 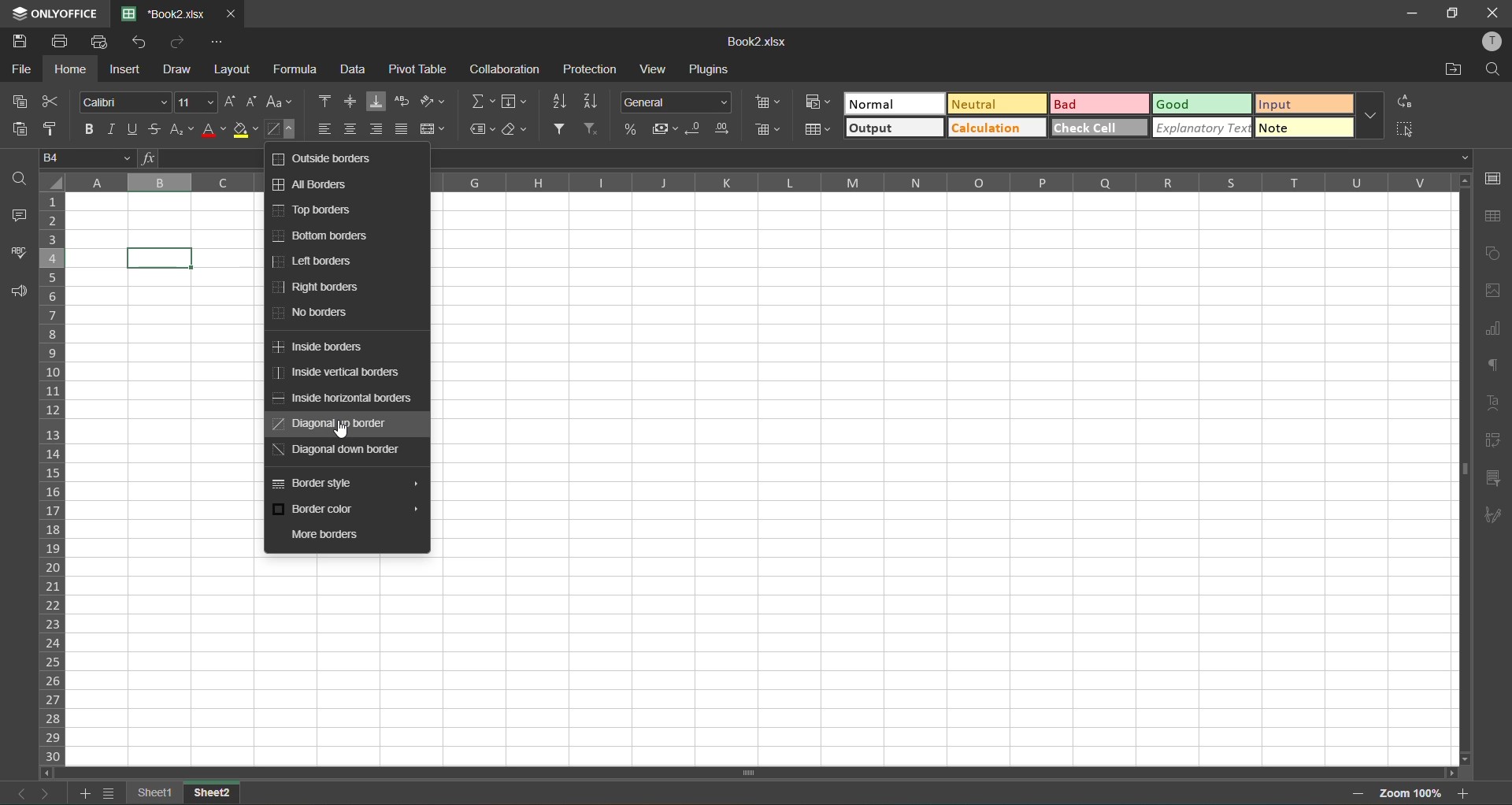 What do you see at coordinates (89, 795) in the screenshot?
I see `add sheet` at bounding box center [89, 795].